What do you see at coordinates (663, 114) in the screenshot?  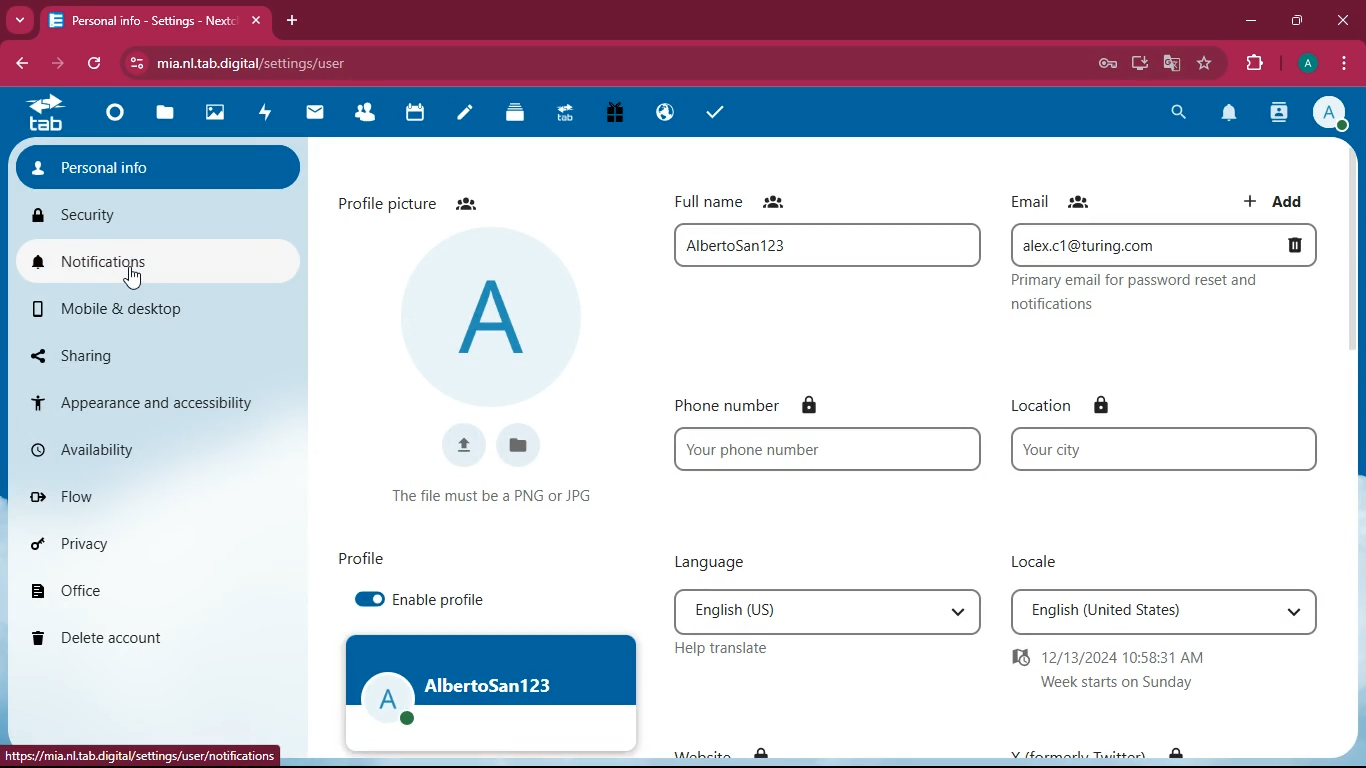 I see `public` at bounding box center [663, 114].